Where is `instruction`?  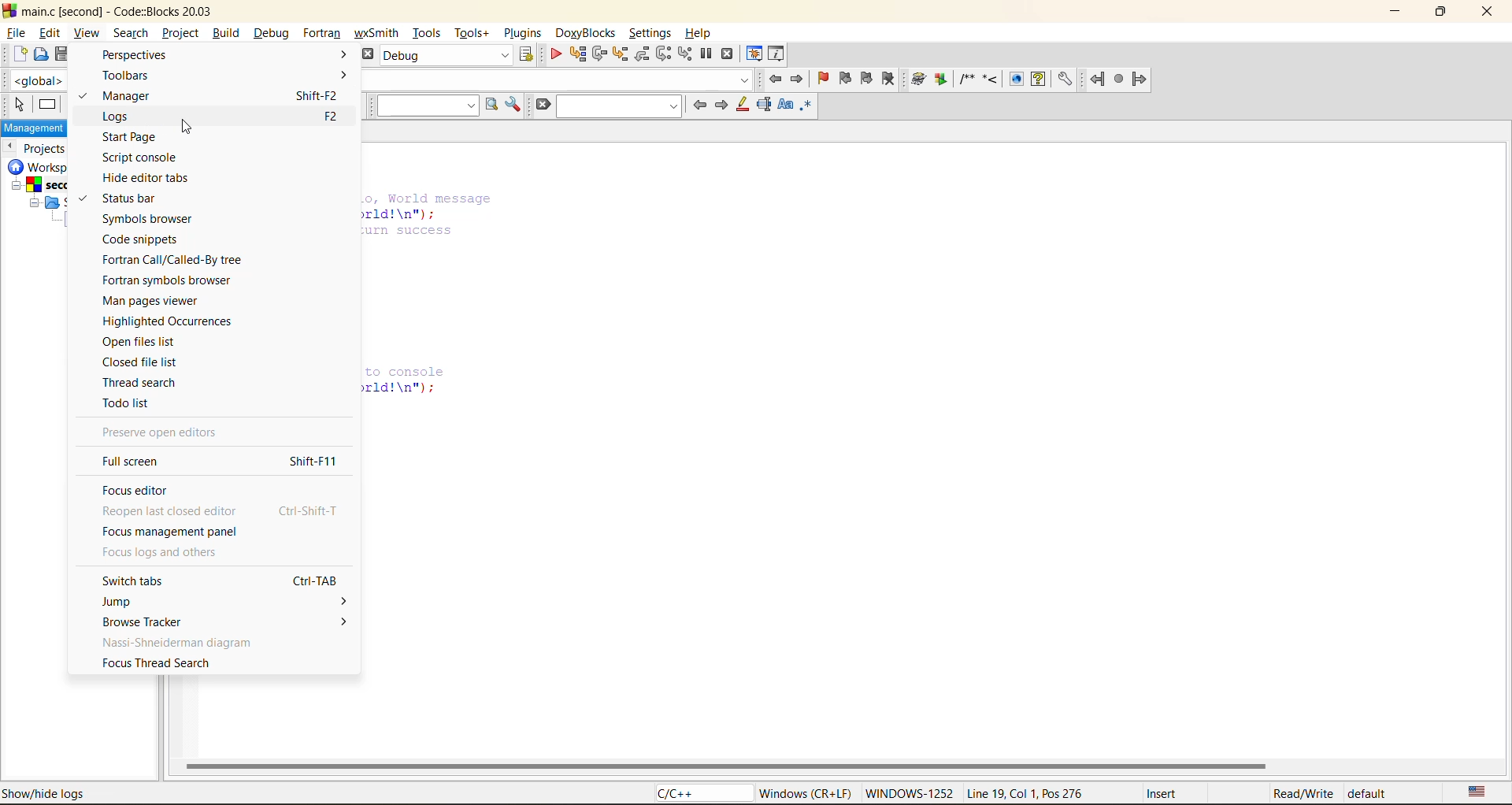
instruction is located at coordinates (47, 106).